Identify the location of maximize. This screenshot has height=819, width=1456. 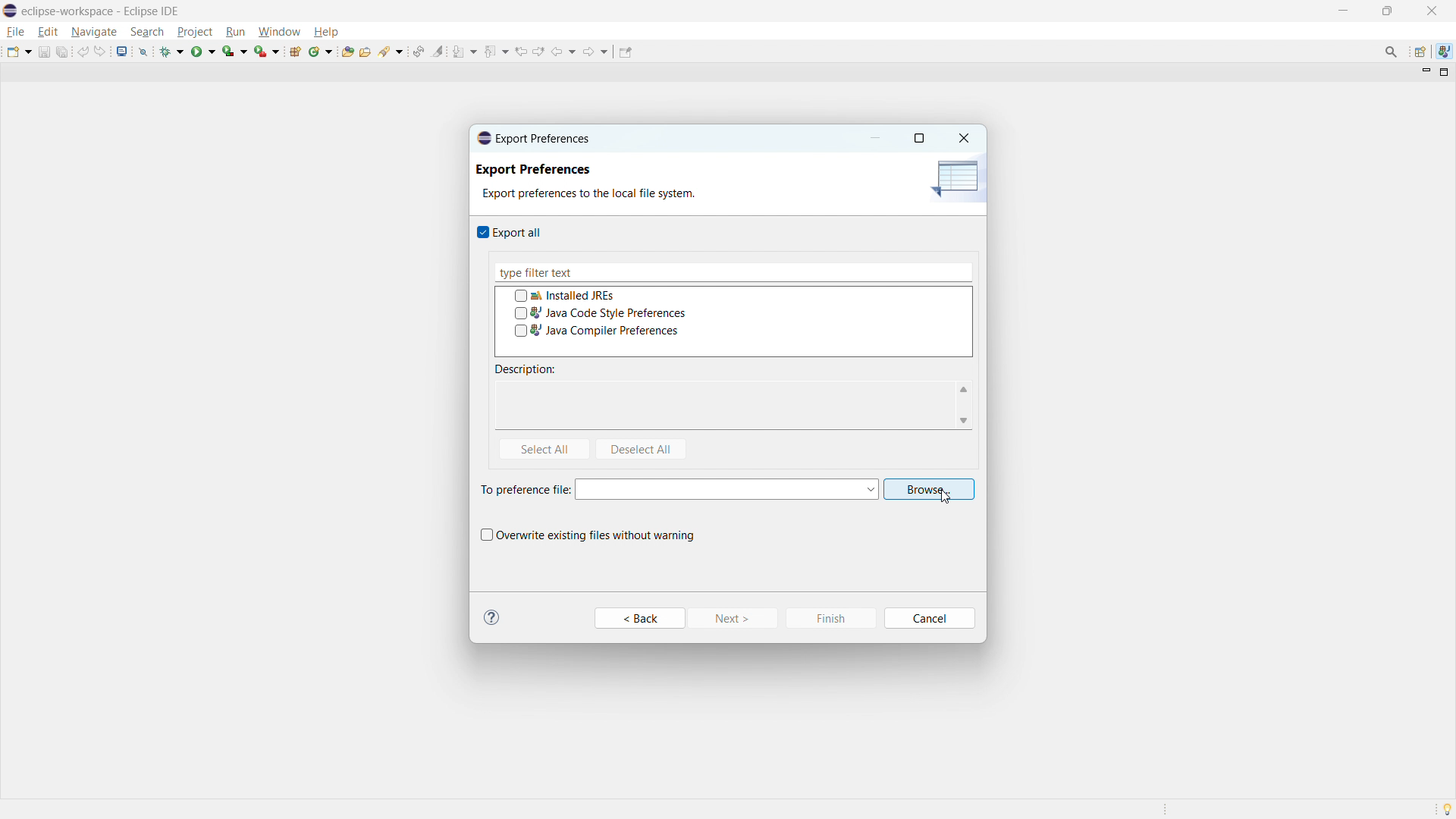
(1387, 11).